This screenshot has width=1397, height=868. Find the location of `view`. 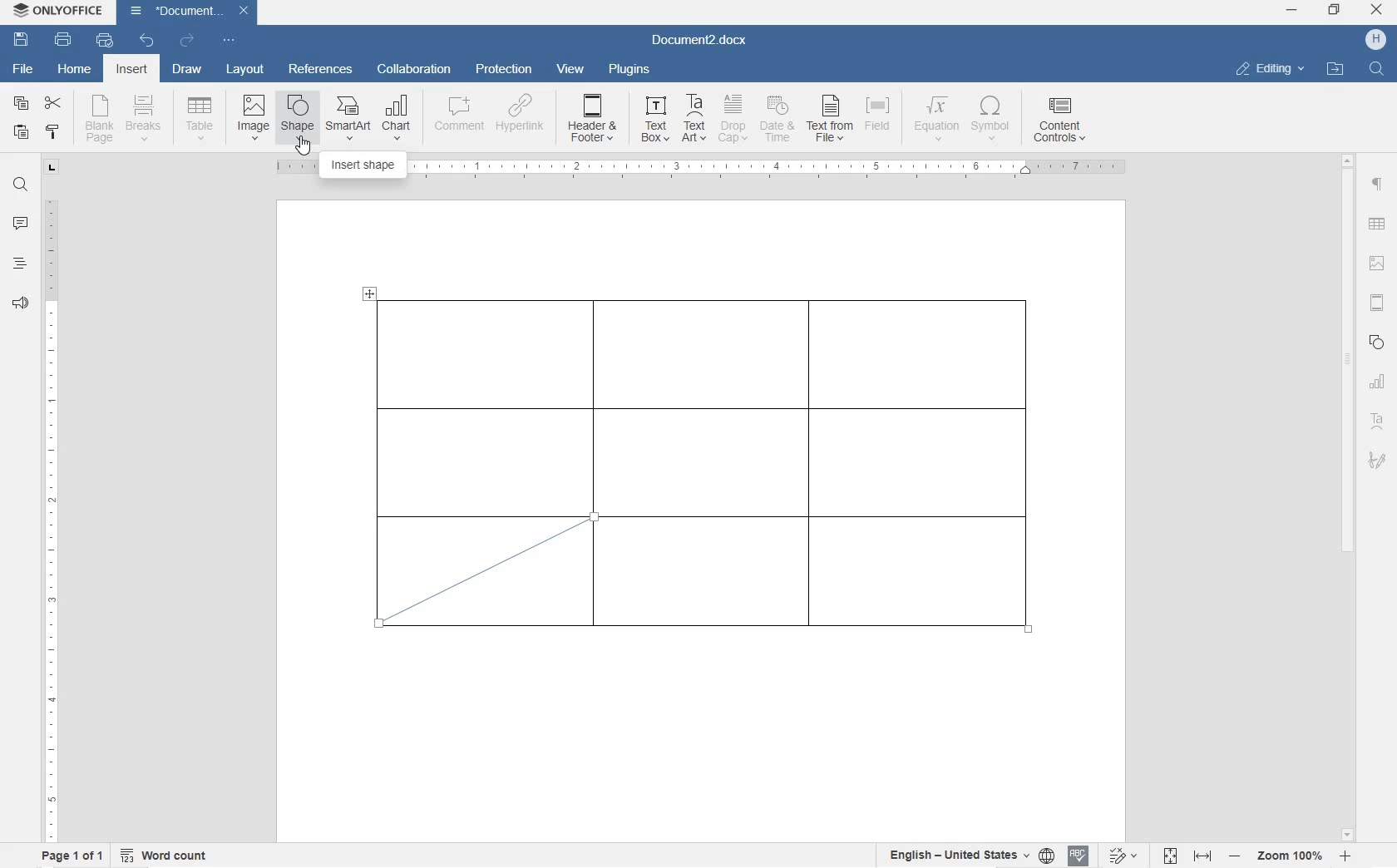

view is located at coordinates (573, 70).